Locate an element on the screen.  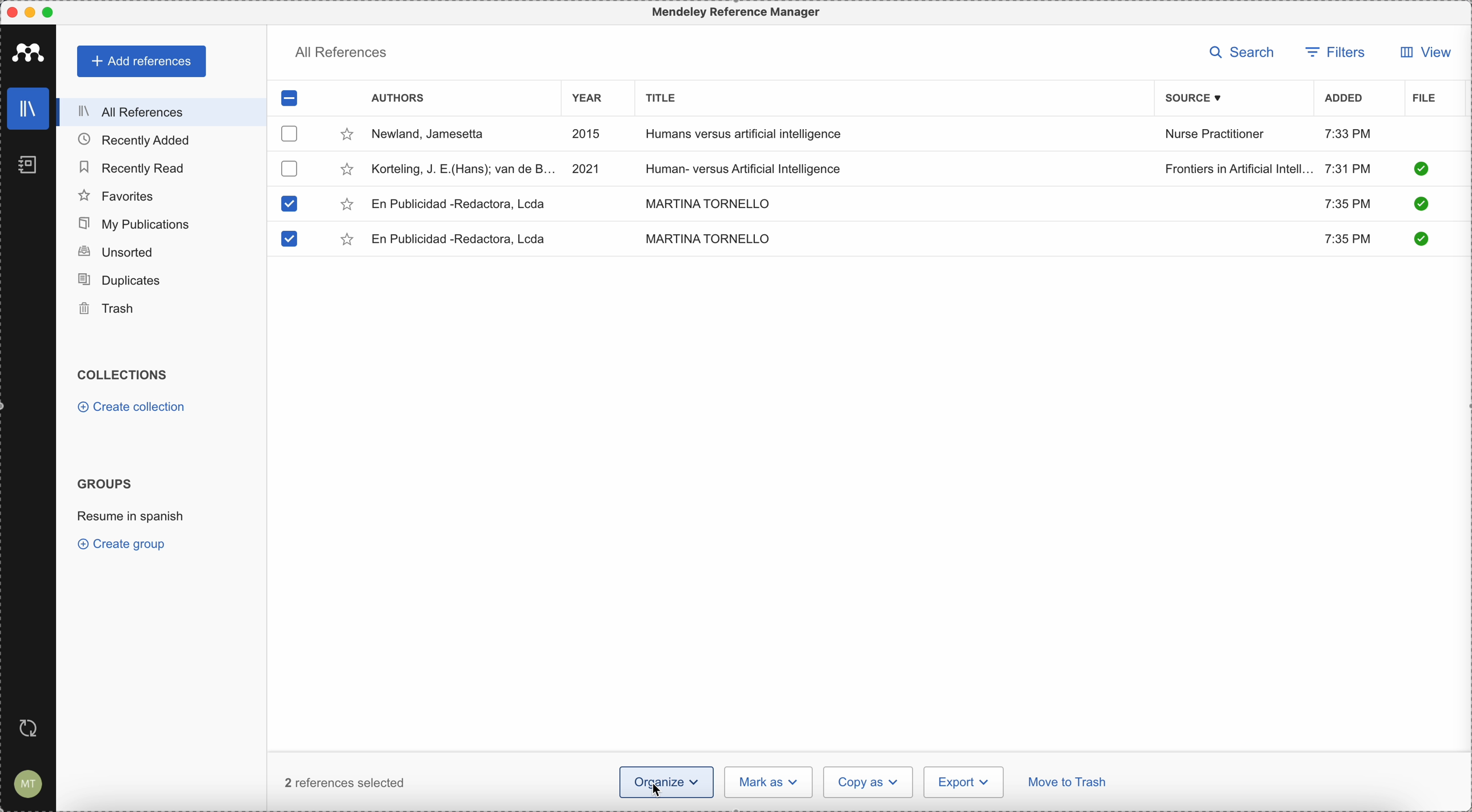
minimize is located at coordinates (33, 13).